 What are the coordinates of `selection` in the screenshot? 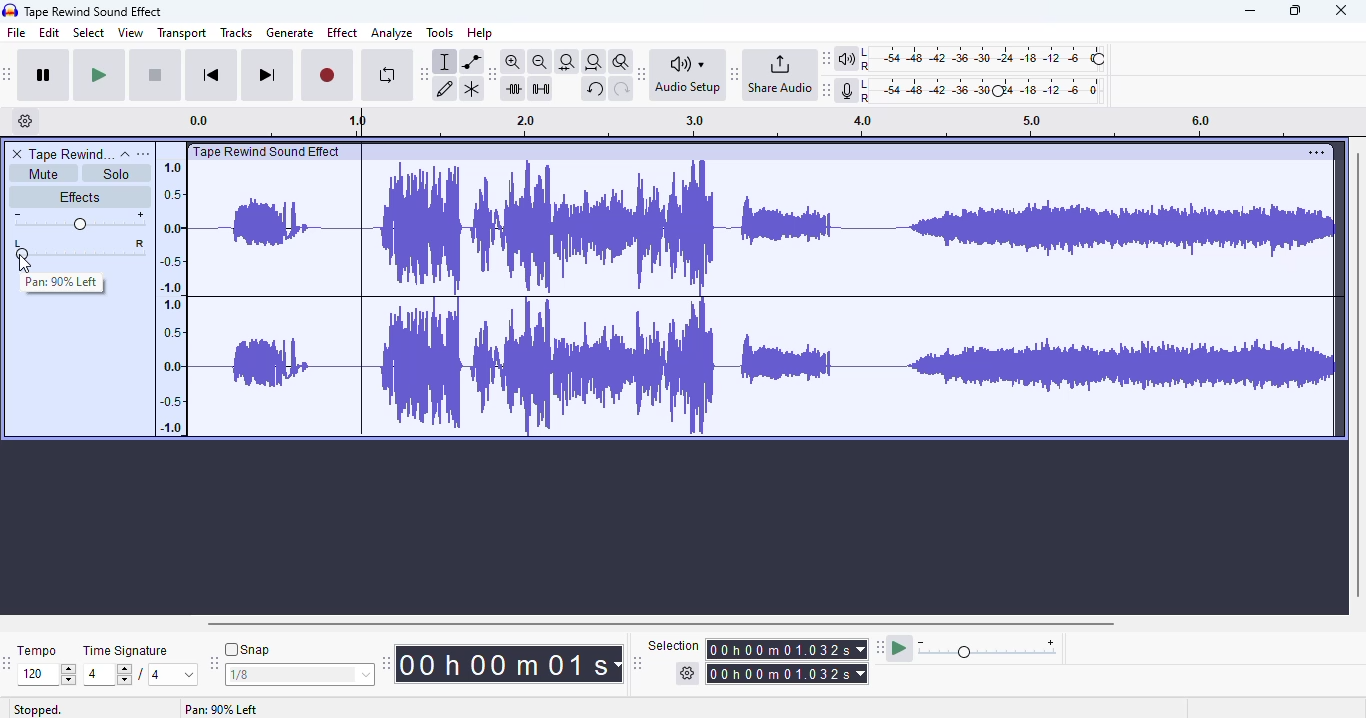 It's located at (759, 660).